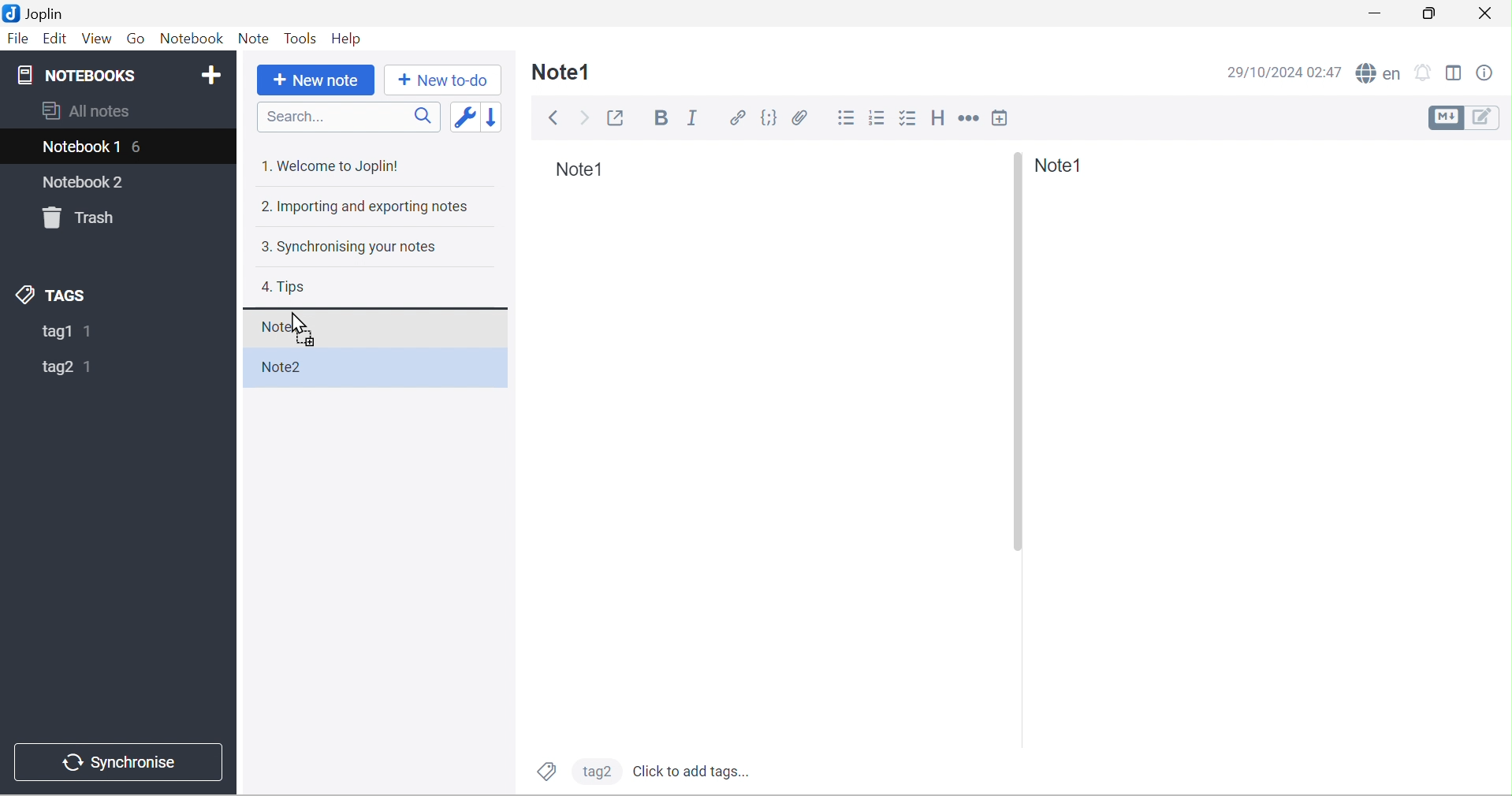 The image size is (1512, 796). I want to click on Go, so click(136, 39).